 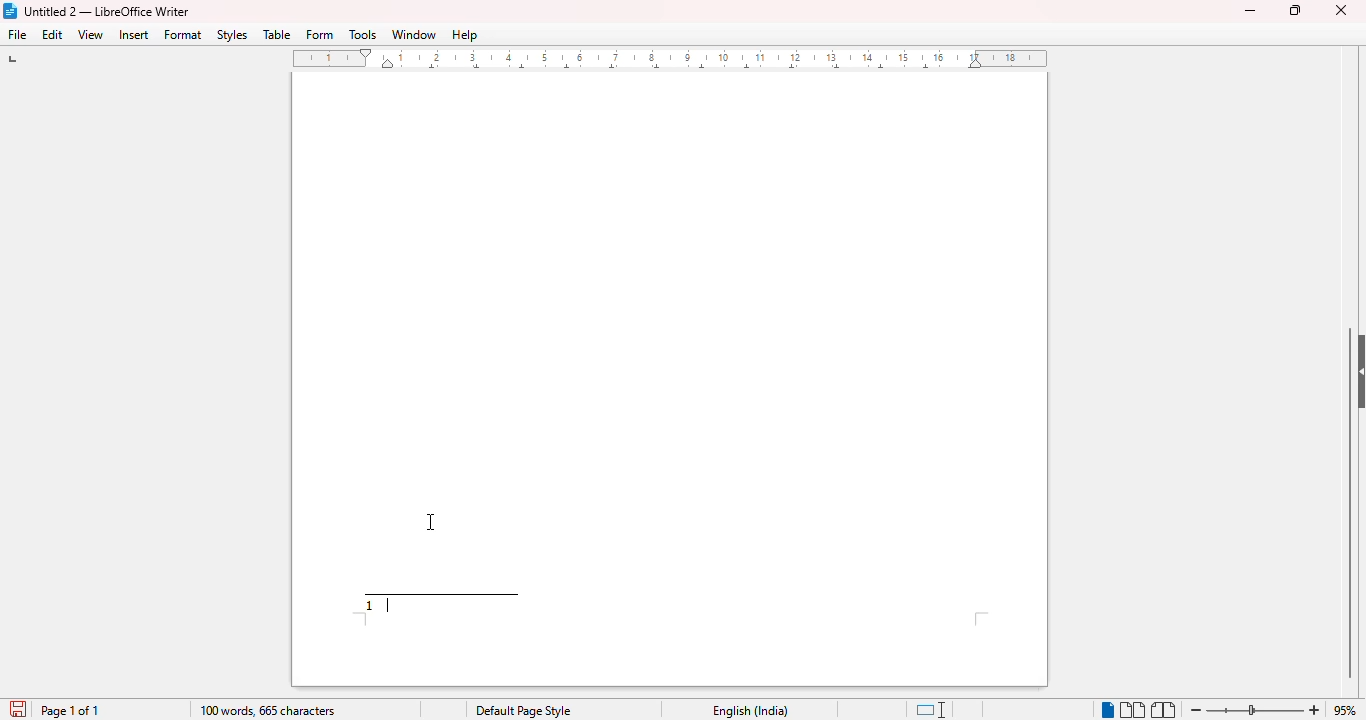 I want to click on vertical scroll bar, so click(x=1351, y=500).